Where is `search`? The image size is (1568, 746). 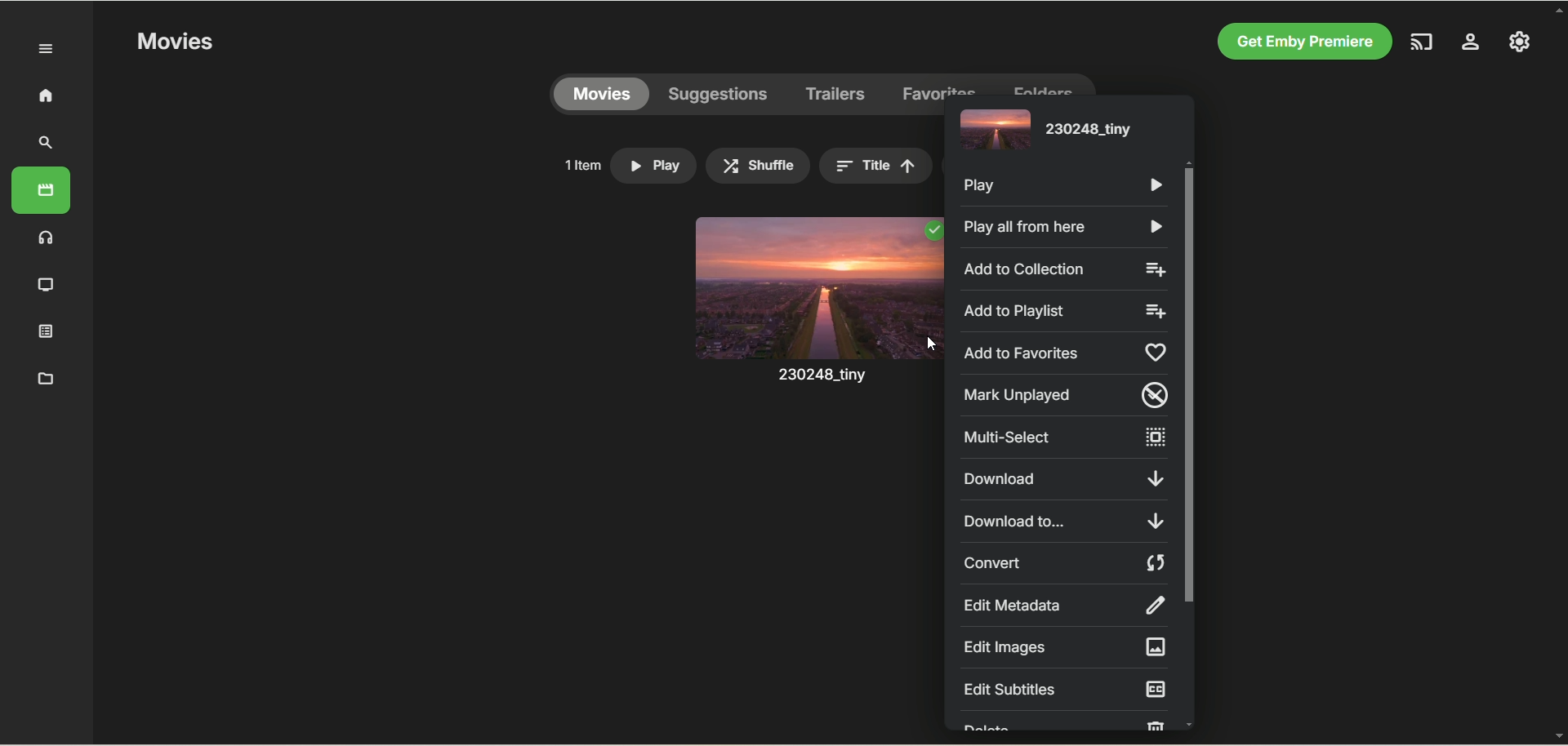 search is located at coordinates (47, 143).